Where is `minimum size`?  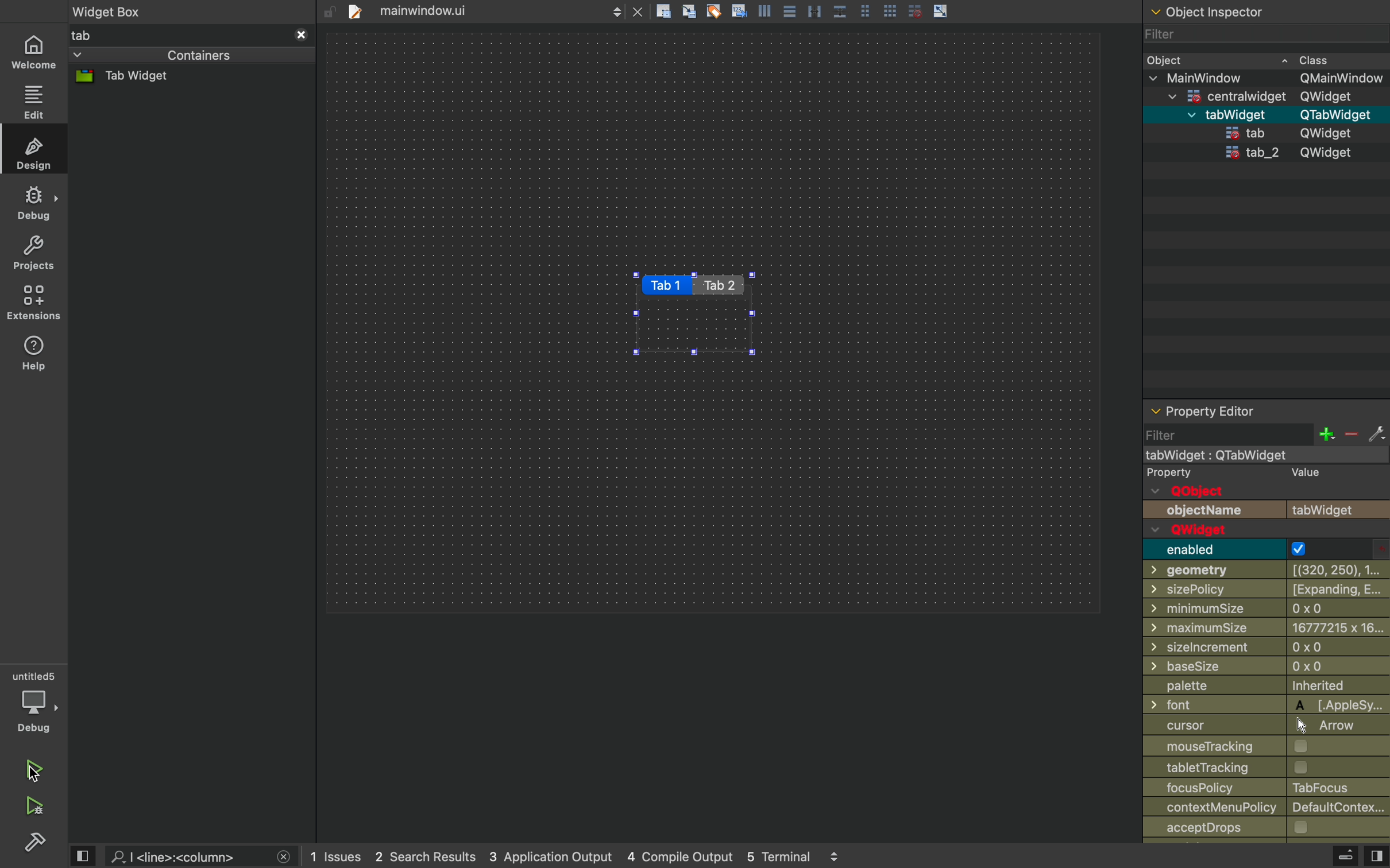
minimum size is located at coordinates (1266, 629).